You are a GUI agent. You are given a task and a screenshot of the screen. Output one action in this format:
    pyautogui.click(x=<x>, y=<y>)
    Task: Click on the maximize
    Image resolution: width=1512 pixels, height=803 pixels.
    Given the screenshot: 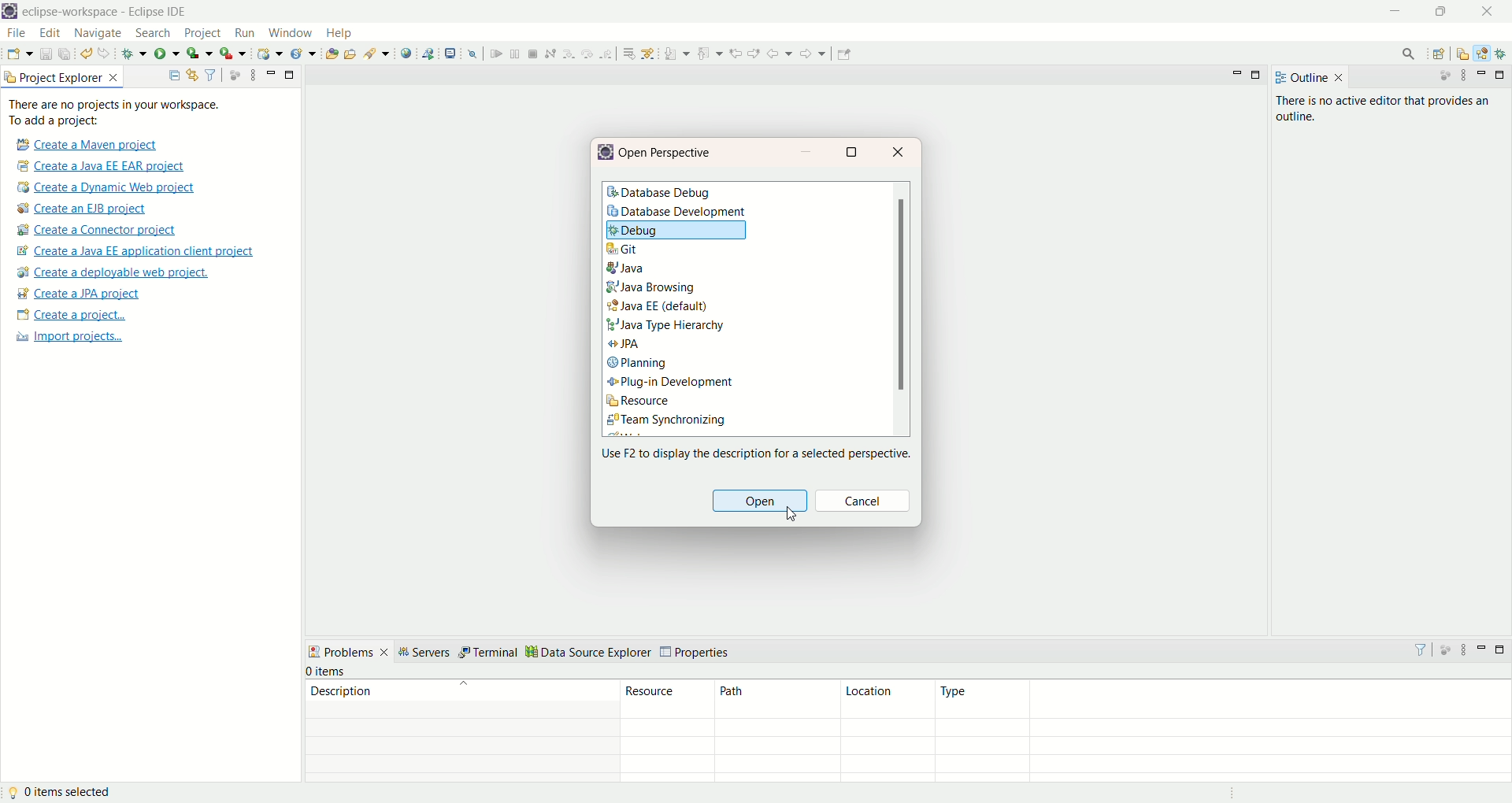 What is the action you would take?
    pyautogui.click(x=289, y=73)
    